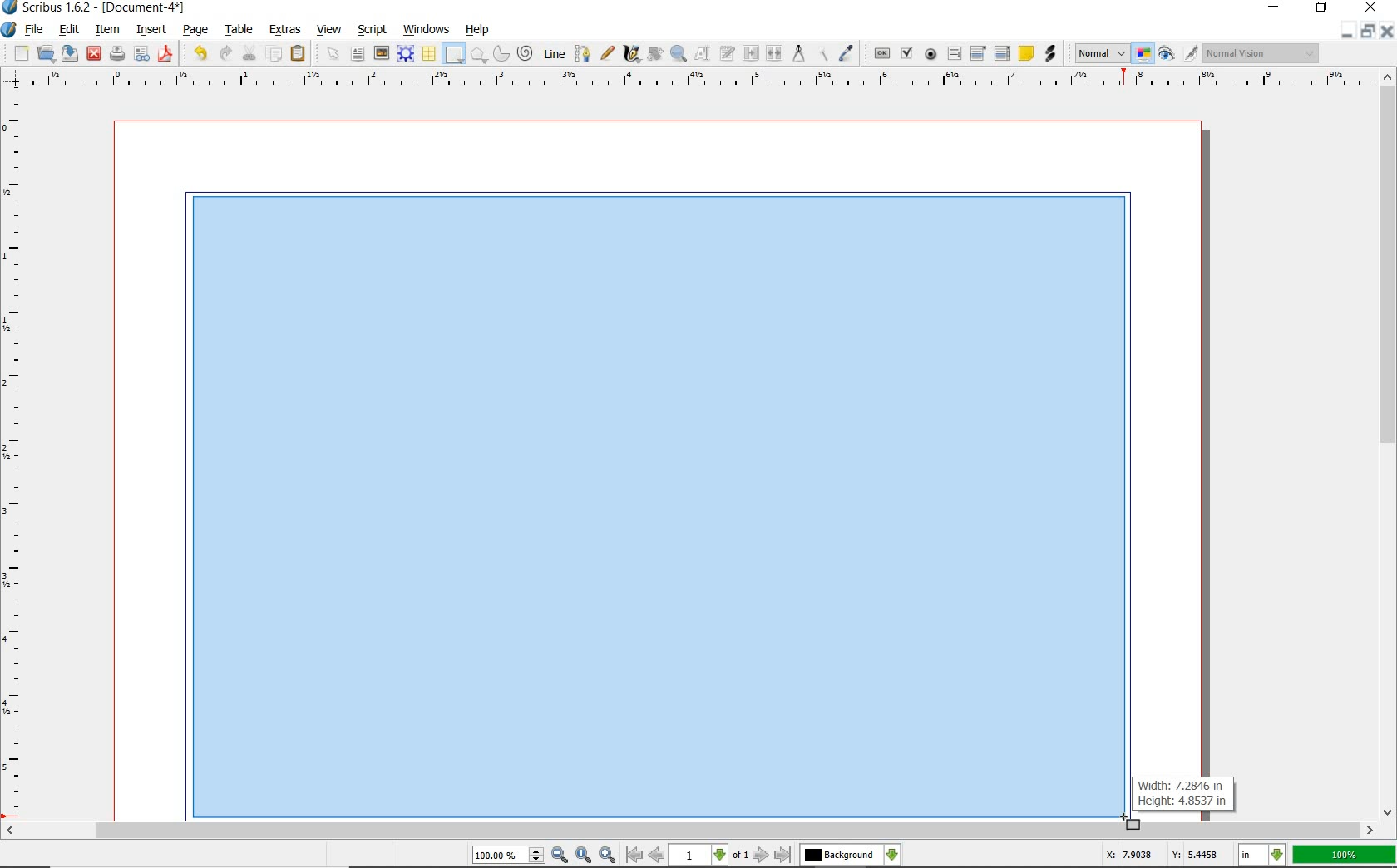 This screenshot has height=868, width=1397. Describe the element at coordinates (501, 52) in the screenshot. I see `arc` at that location.